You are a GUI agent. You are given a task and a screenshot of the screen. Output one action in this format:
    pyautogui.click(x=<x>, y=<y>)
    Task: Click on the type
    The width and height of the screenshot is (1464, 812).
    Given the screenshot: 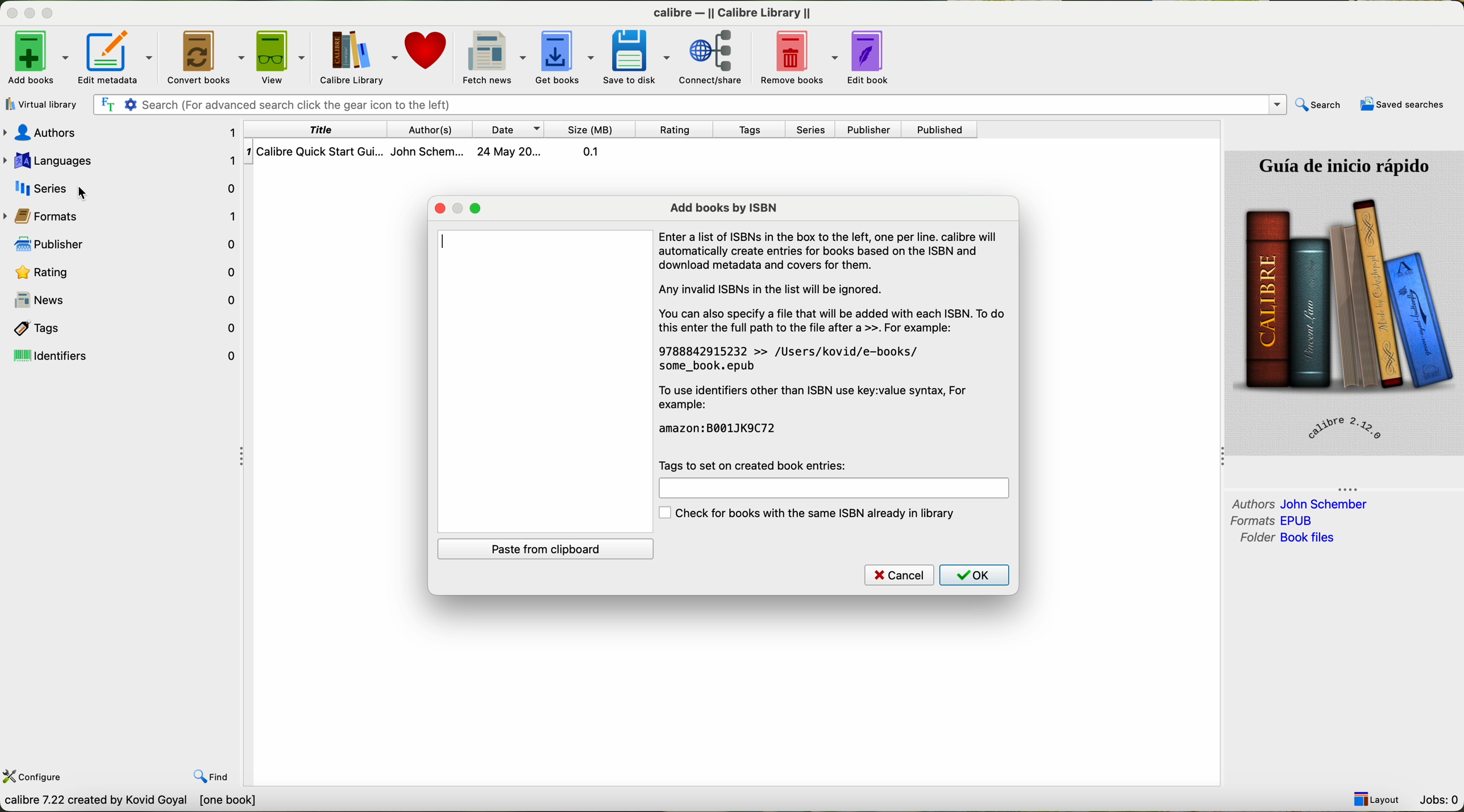 What is the action you would take?
    pyautogui.click(x=449, y=241)
    